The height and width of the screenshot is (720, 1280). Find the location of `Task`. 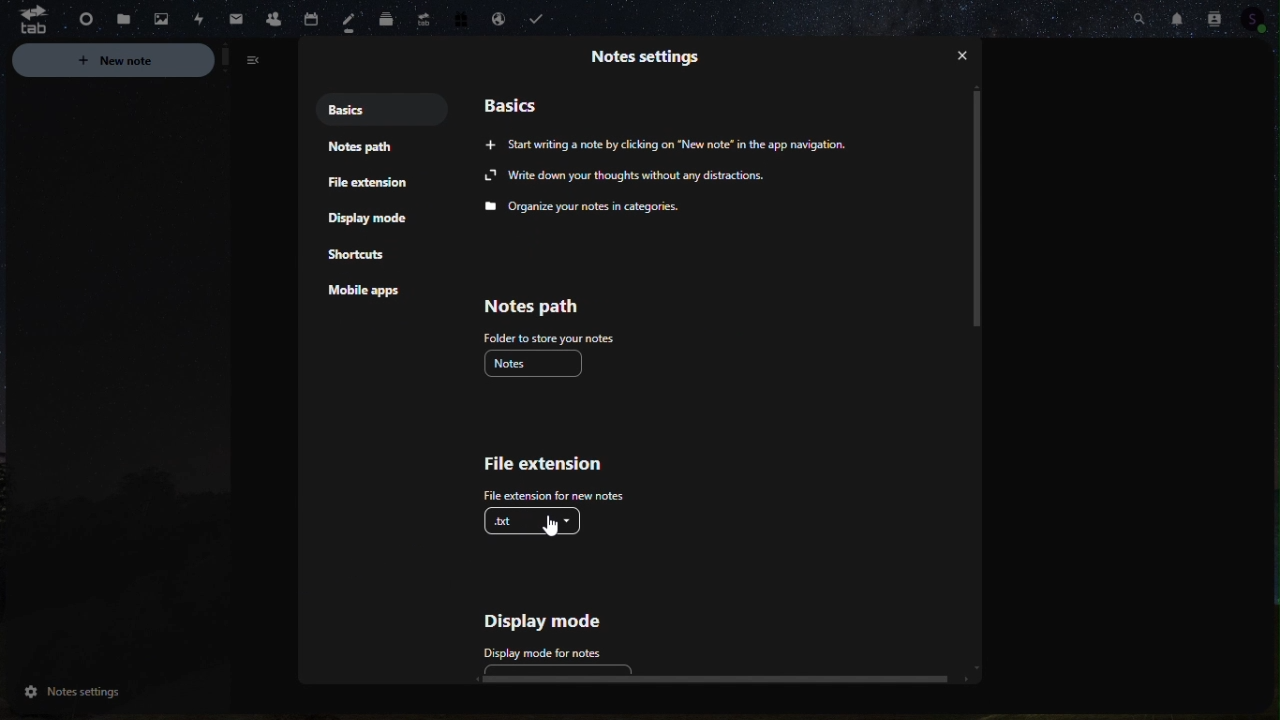

Task is located at coordinates (541, 19).